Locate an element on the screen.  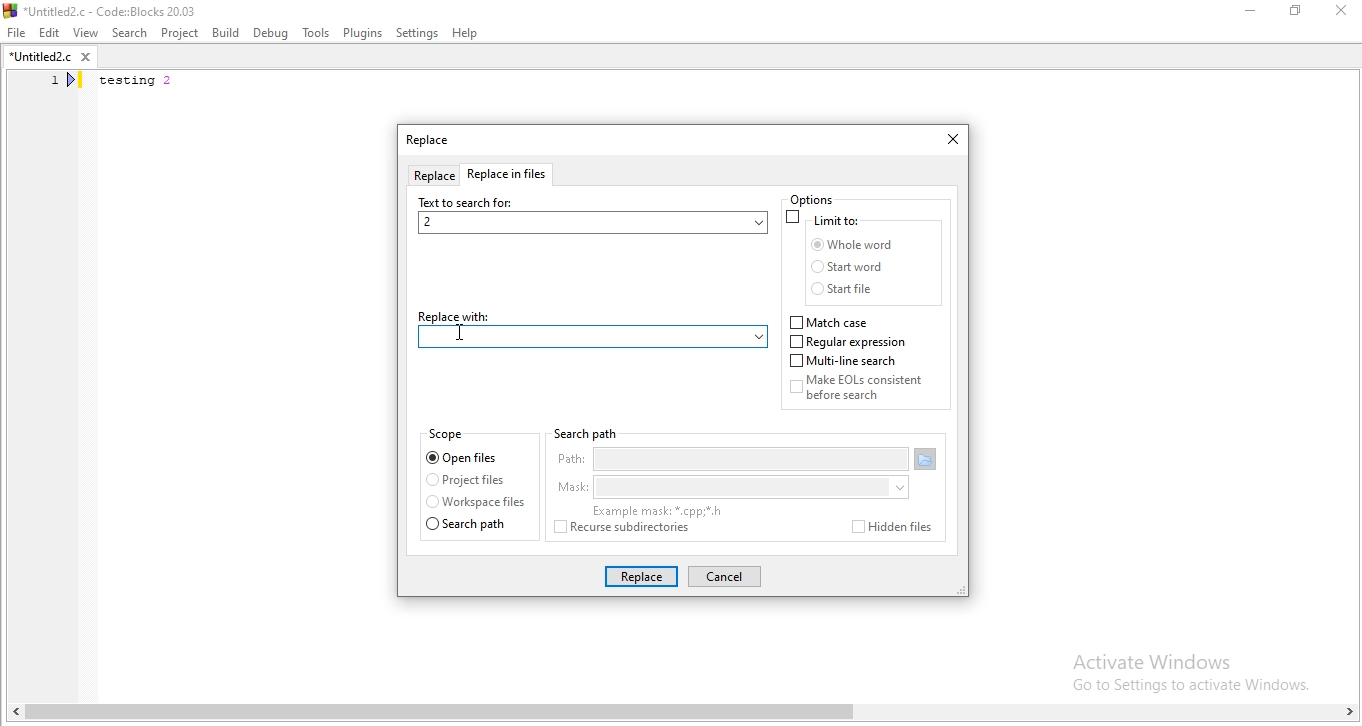
Plugins  is located at coordinates (361, 34).